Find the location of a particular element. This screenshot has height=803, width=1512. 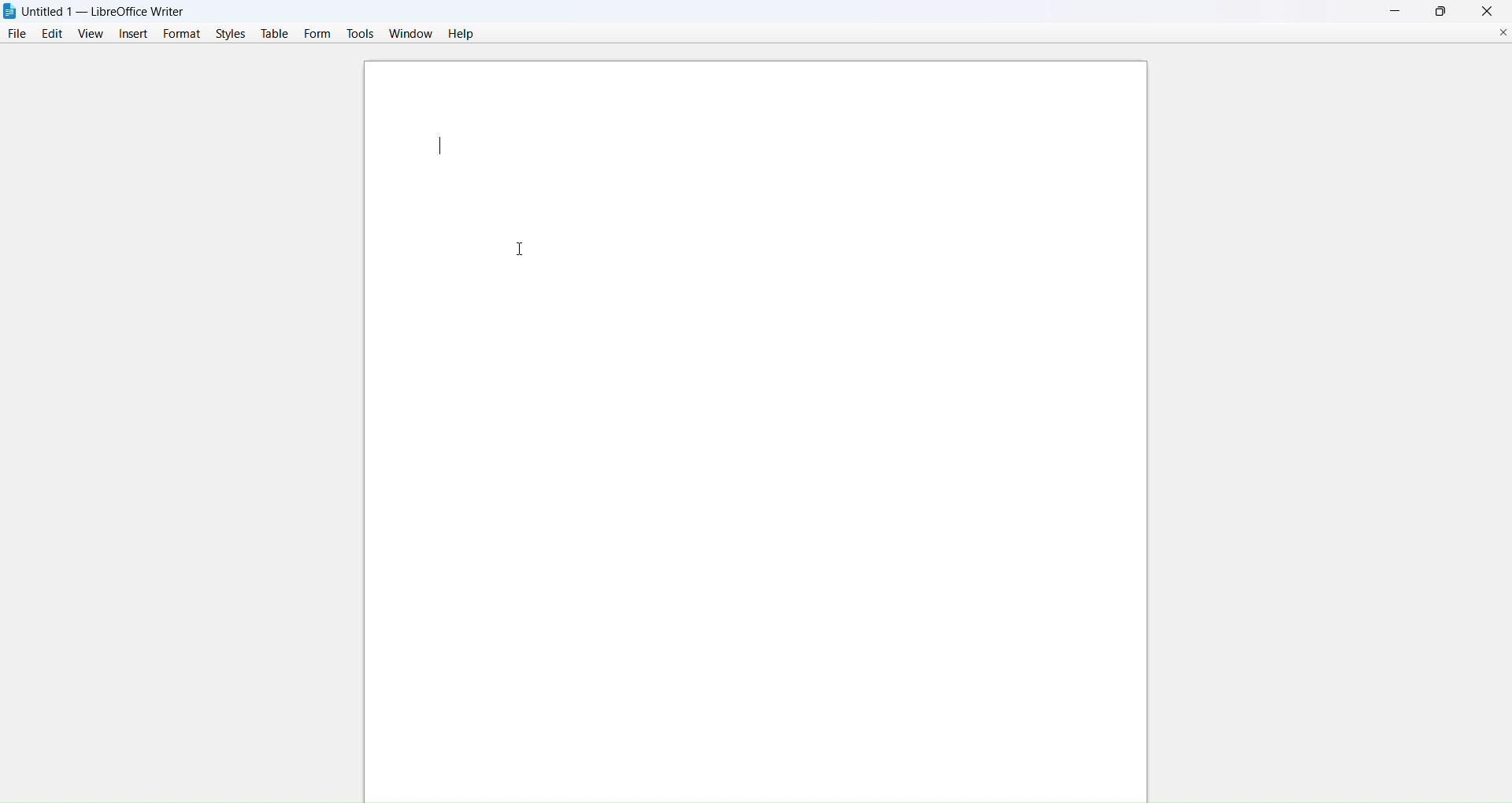

text cursor is located at coordinates (439, 144).